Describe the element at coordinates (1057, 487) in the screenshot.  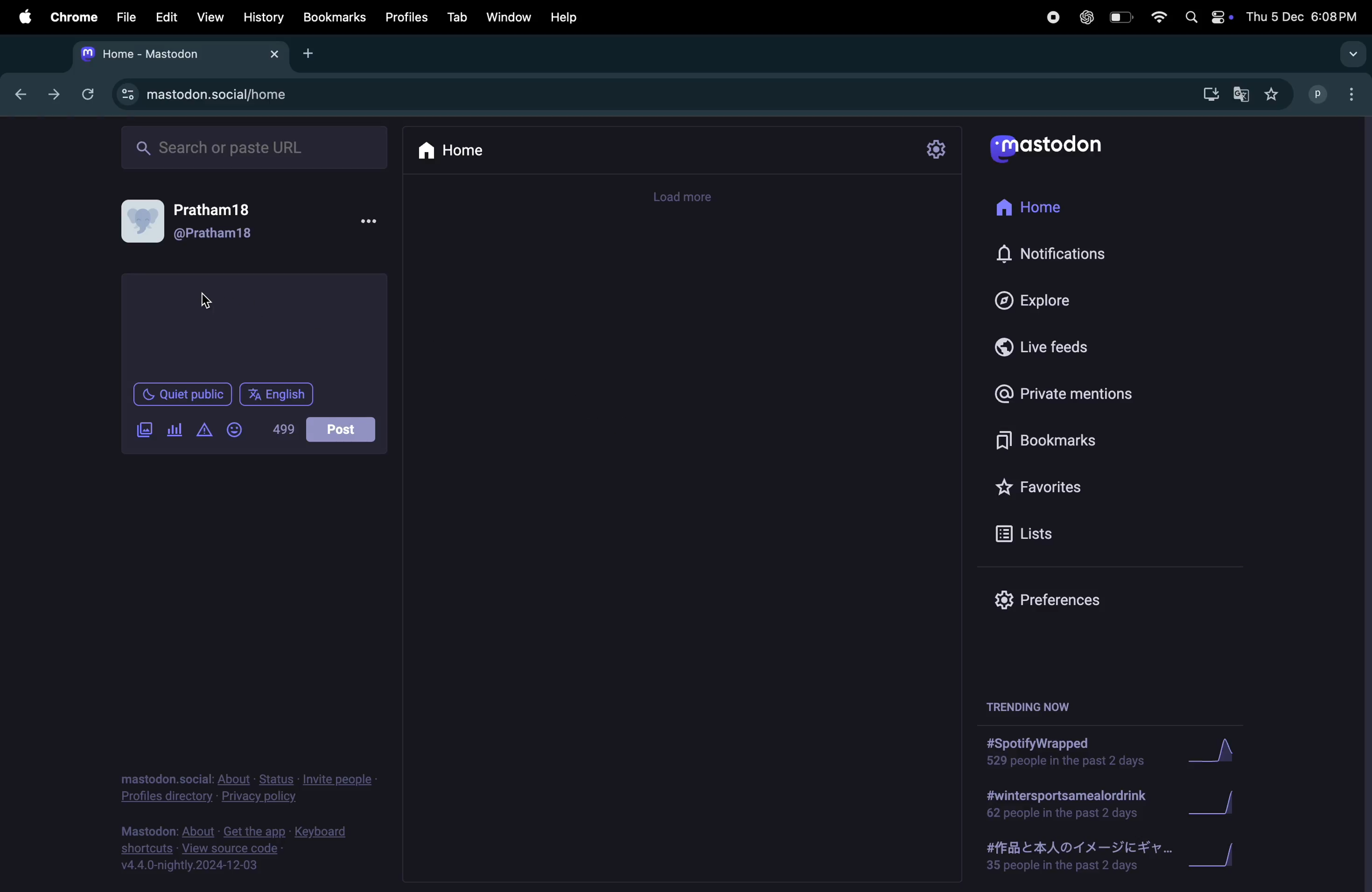
I see `Fvaourites` at that location.